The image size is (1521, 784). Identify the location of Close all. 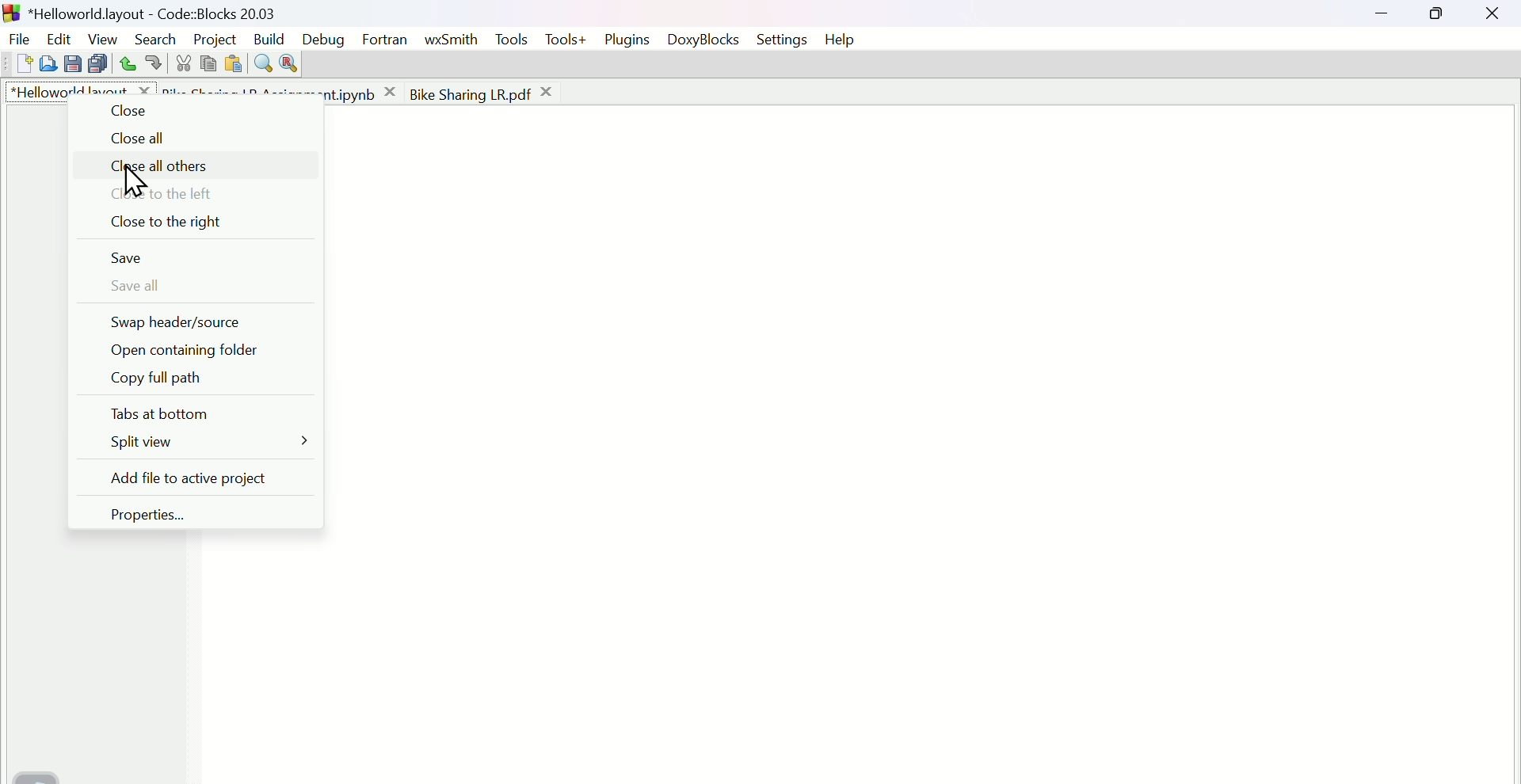
(147, 140).